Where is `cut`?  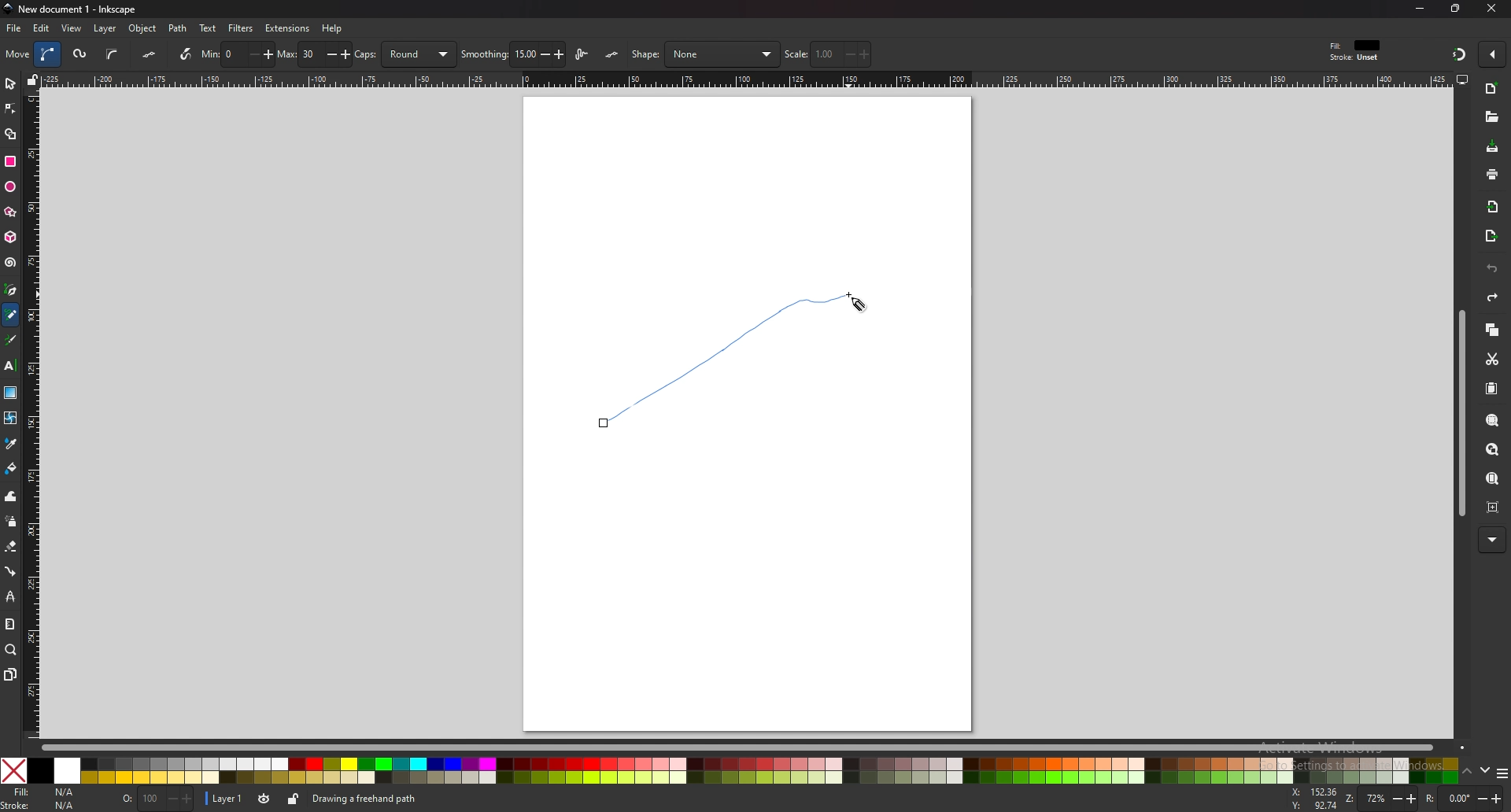 cut is located at coordinates (1490, 359).